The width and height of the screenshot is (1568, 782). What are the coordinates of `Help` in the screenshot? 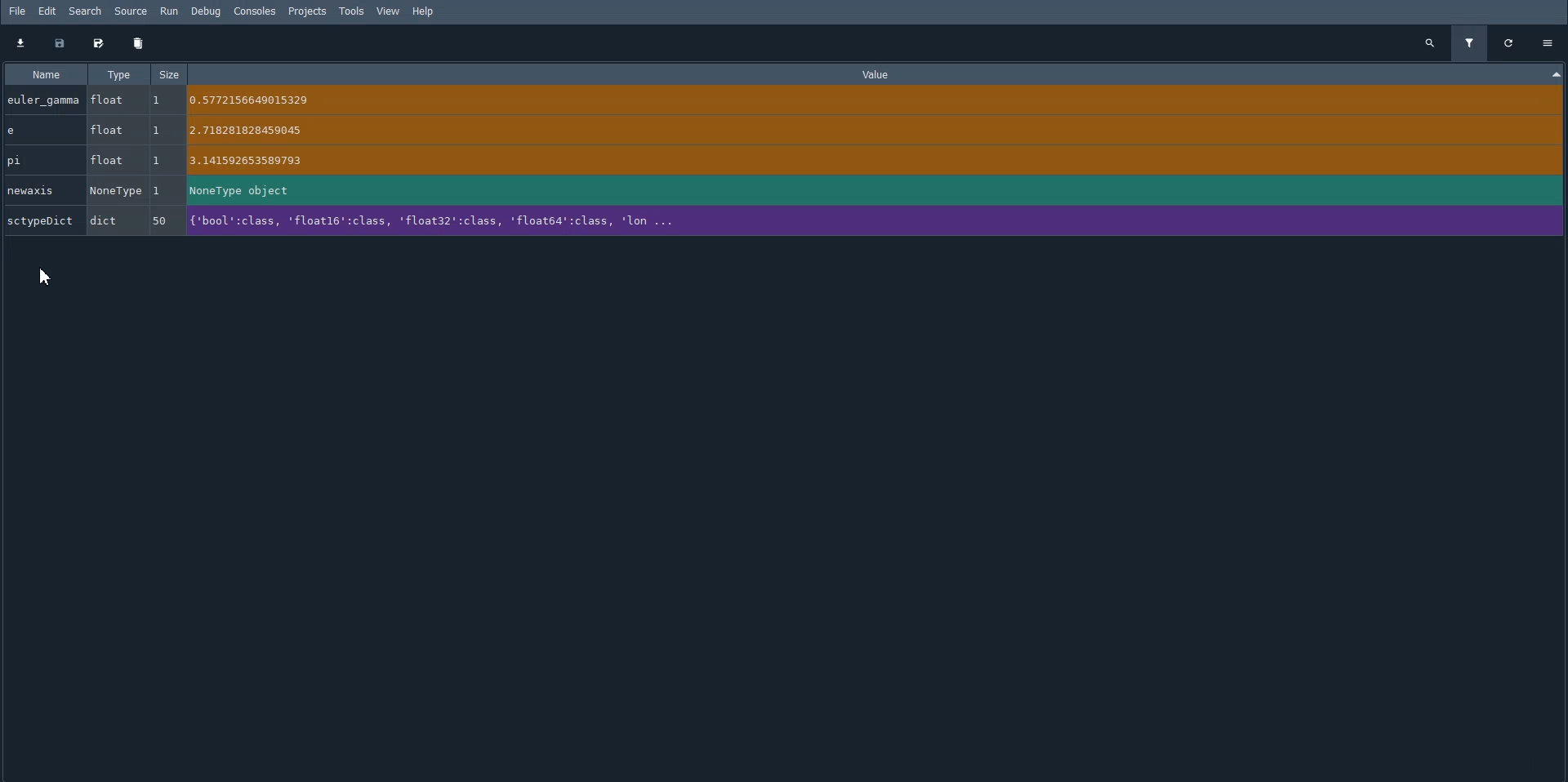 It's located at (423, 12).